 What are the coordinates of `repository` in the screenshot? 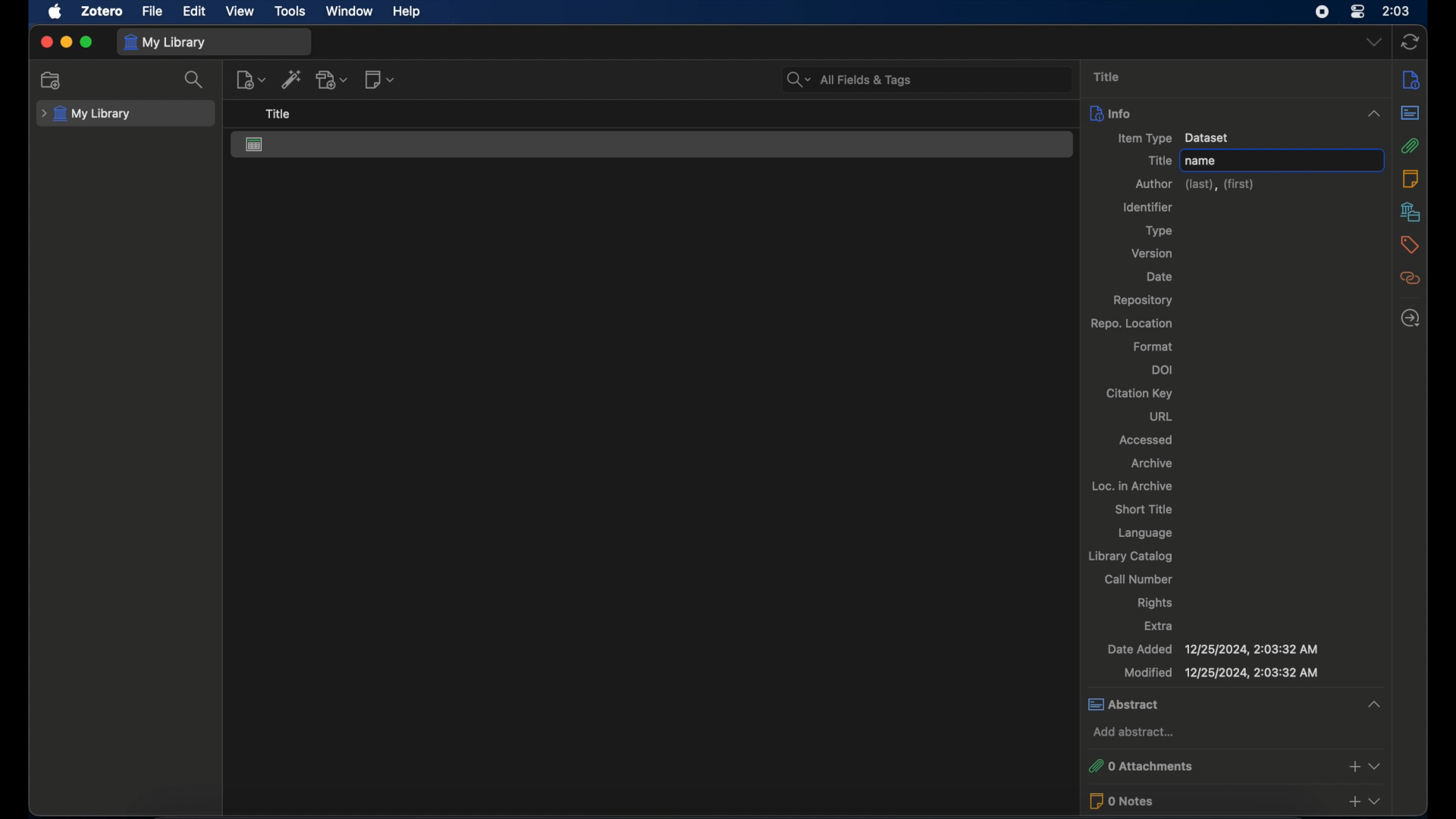 It's located at (1142, 300).